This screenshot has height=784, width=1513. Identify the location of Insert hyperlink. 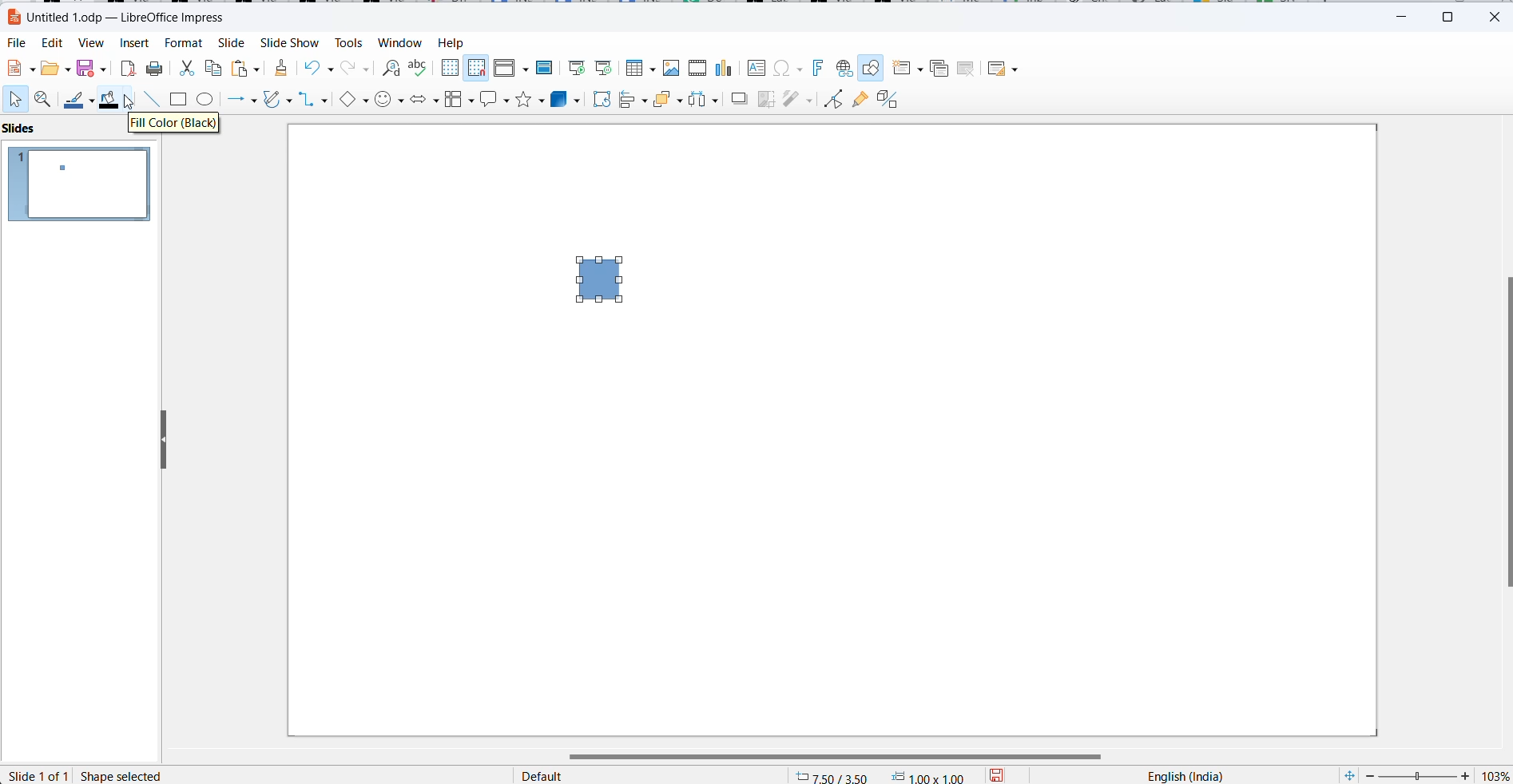
(842, 69).